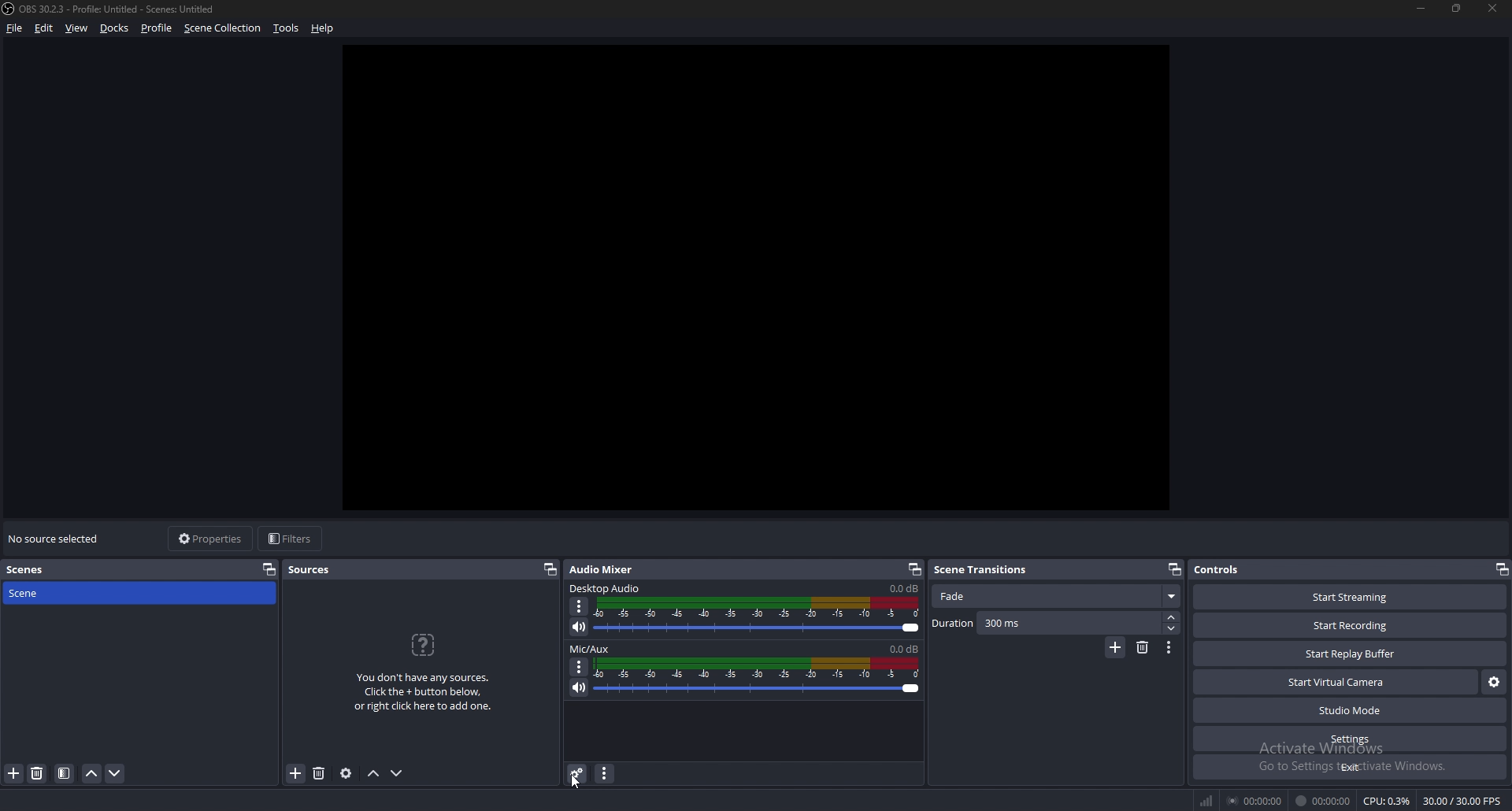  I want to click on desktop audio, so click(606, 589).